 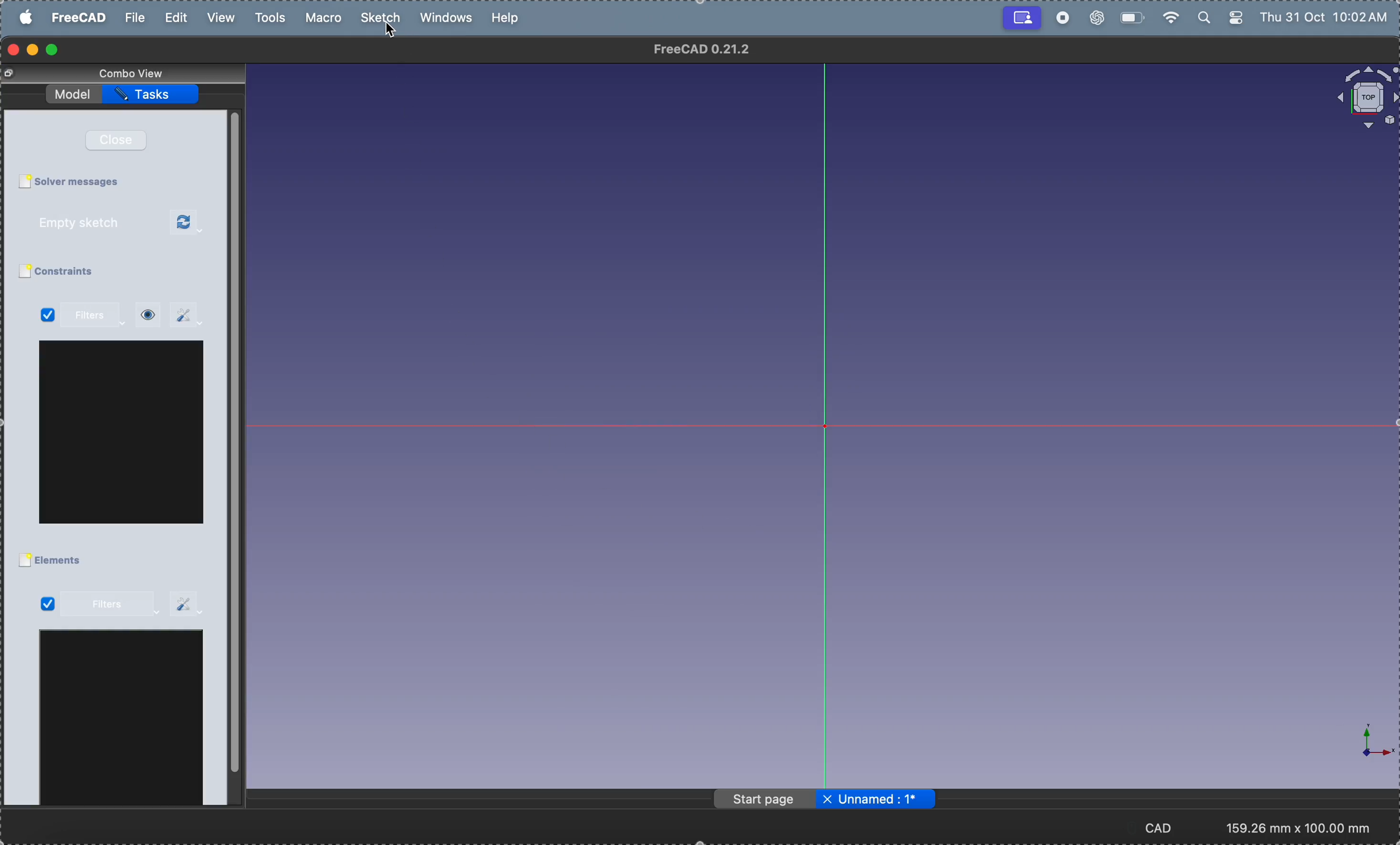 What do you see at coordinates (81, 17) in the screenshot?
I see `free cad` at bounding box center [81, 17].